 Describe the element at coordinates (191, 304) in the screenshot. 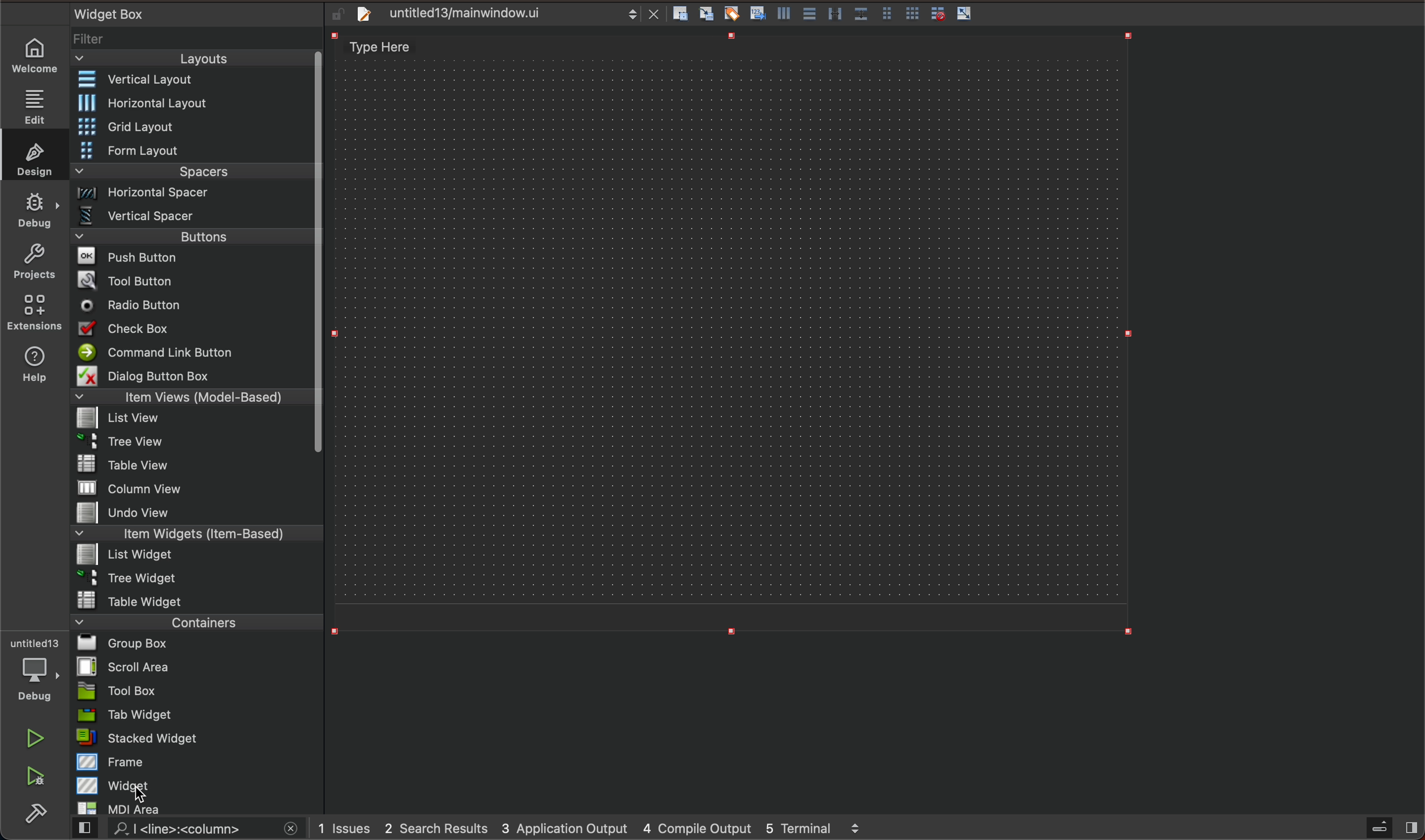

I see `radio button` at that location.